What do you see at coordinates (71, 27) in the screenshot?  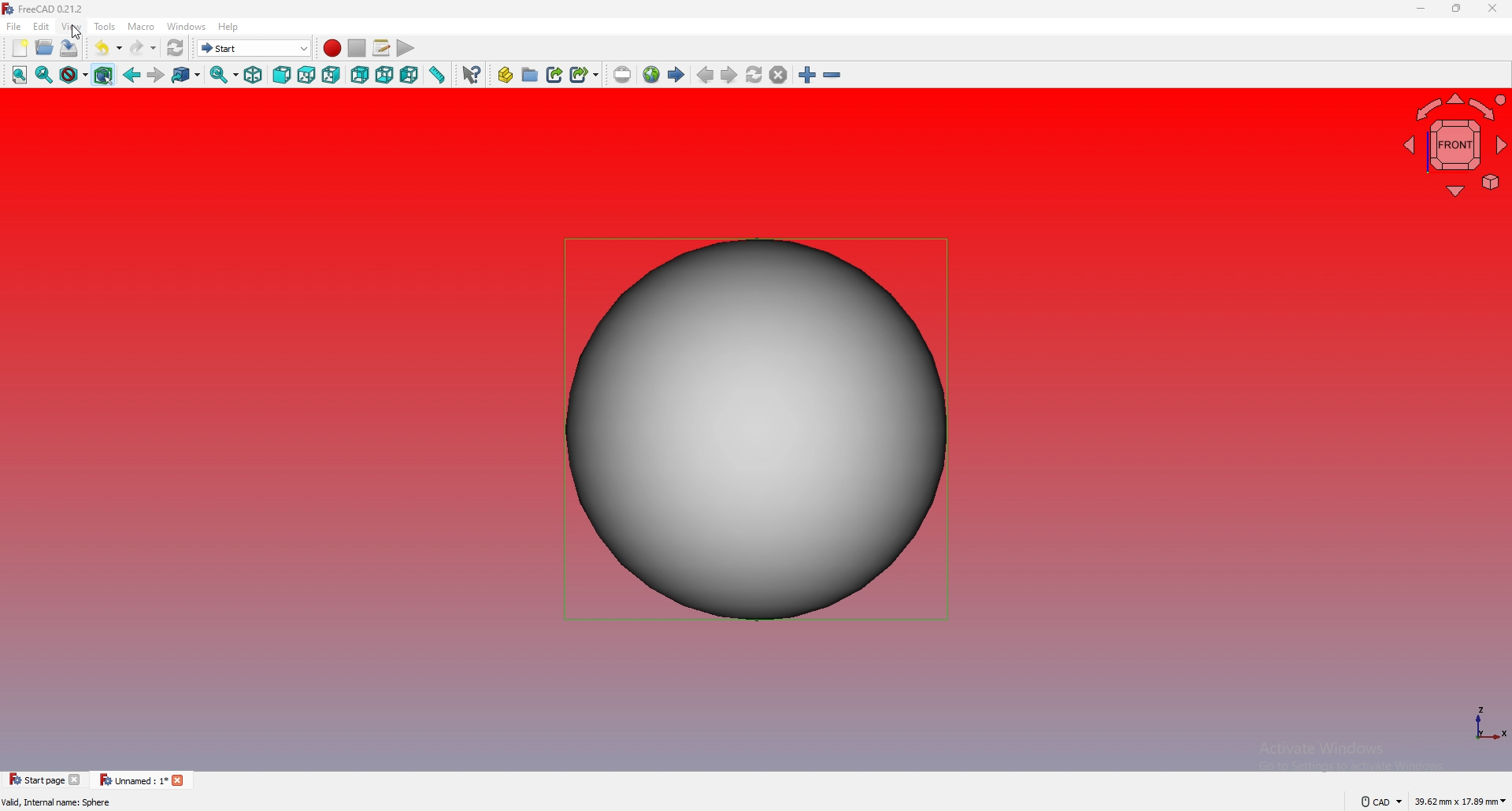 I see `view` at bounding box center [71, 27].